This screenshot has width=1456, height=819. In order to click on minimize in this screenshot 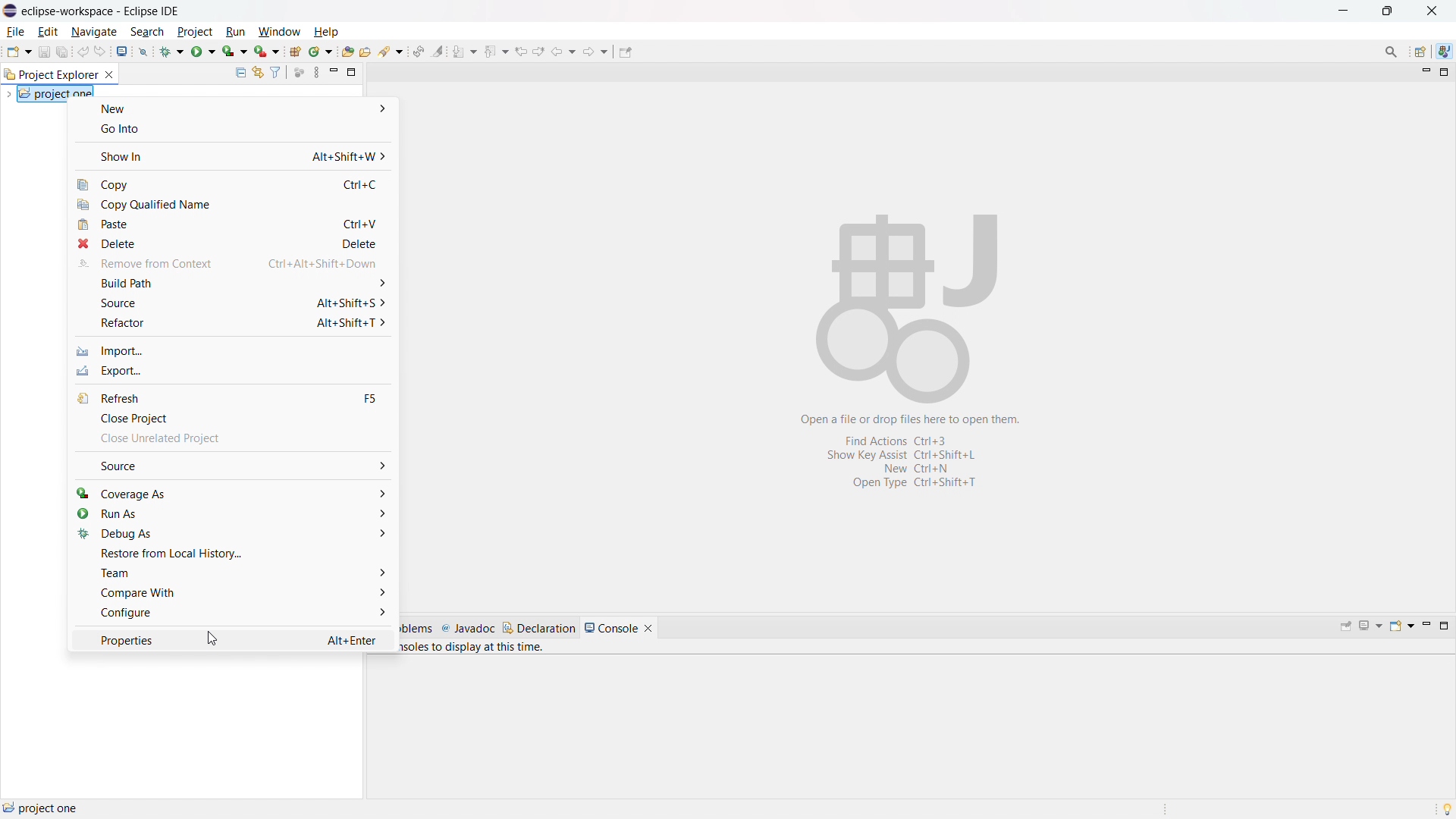, I will do `click(334, 72)`.